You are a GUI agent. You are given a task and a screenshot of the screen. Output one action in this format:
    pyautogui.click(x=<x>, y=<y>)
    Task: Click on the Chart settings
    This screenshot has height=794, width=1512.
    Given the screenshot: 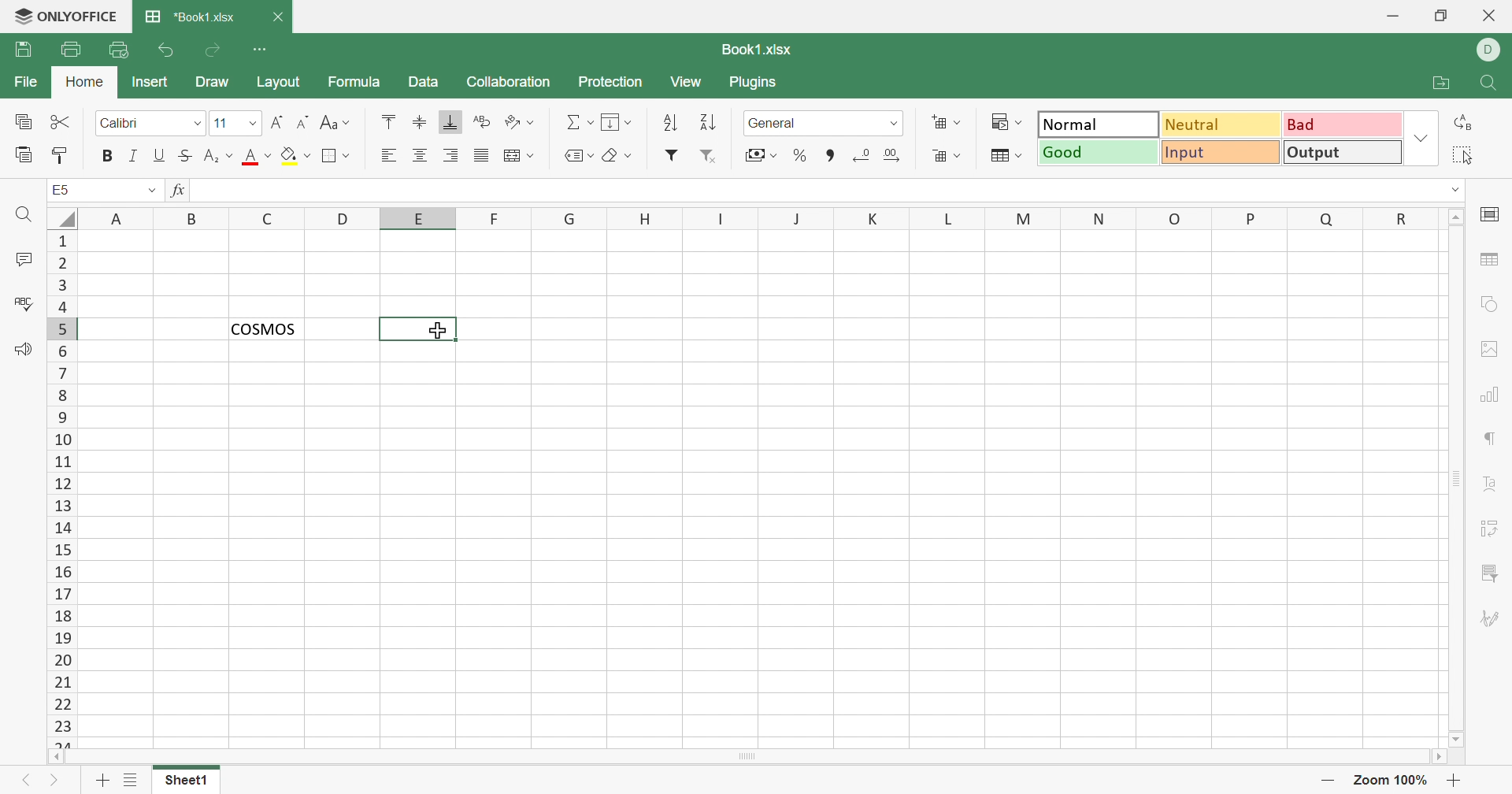 What is the action you would take?
    pyautogui.click(x=1487, y=397)
    